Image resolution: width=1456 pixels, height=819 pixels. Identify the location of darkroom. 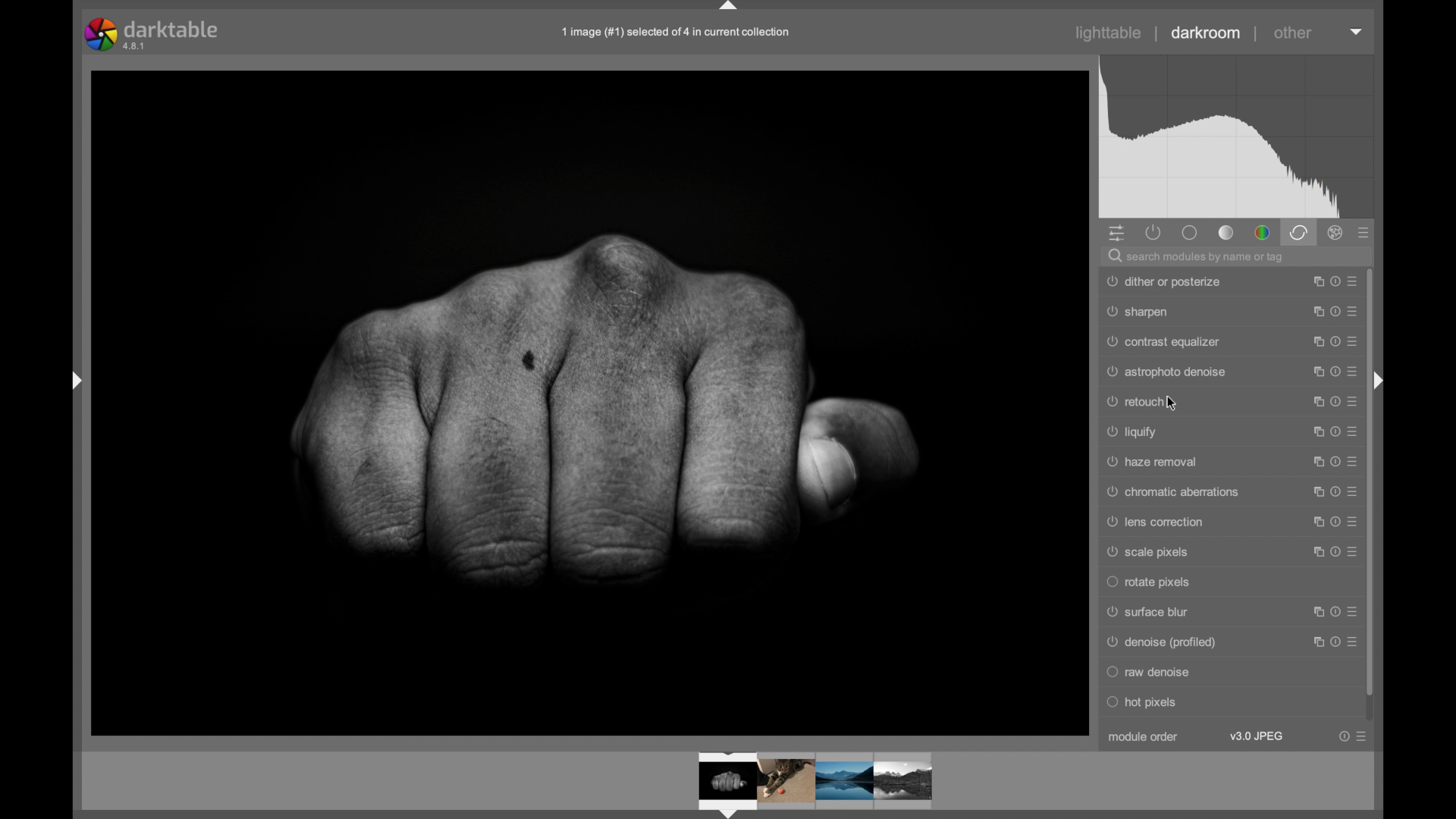
(1207, 33).